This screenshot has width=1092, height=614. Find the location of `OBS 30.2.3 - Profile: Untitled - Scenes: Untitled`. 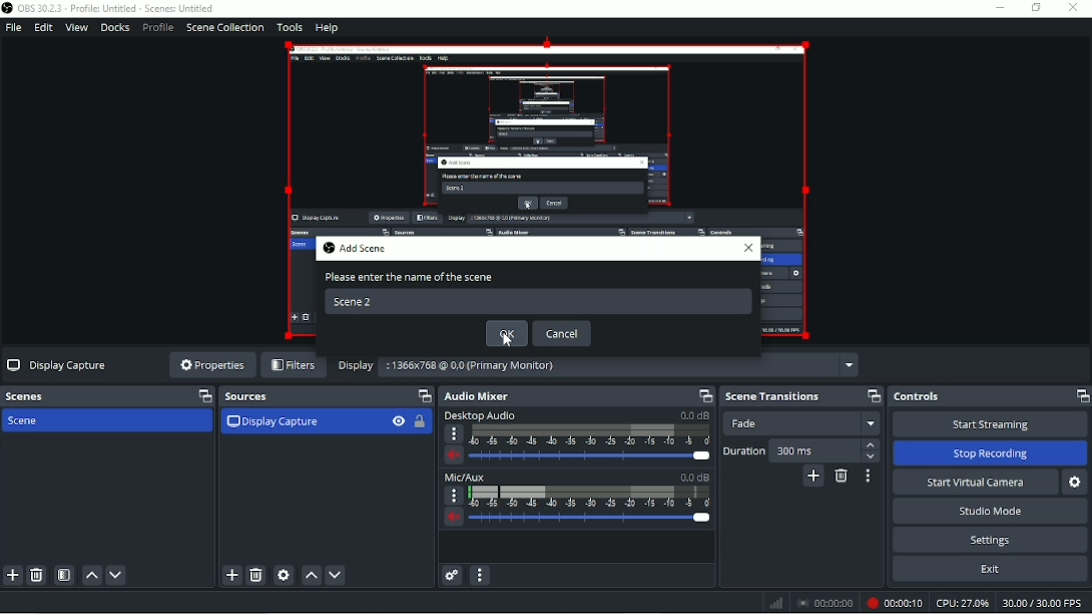

OBS 30.2.3 - Profile: Untitled - Scenes: Untitled is located at coordinates (109, 8).